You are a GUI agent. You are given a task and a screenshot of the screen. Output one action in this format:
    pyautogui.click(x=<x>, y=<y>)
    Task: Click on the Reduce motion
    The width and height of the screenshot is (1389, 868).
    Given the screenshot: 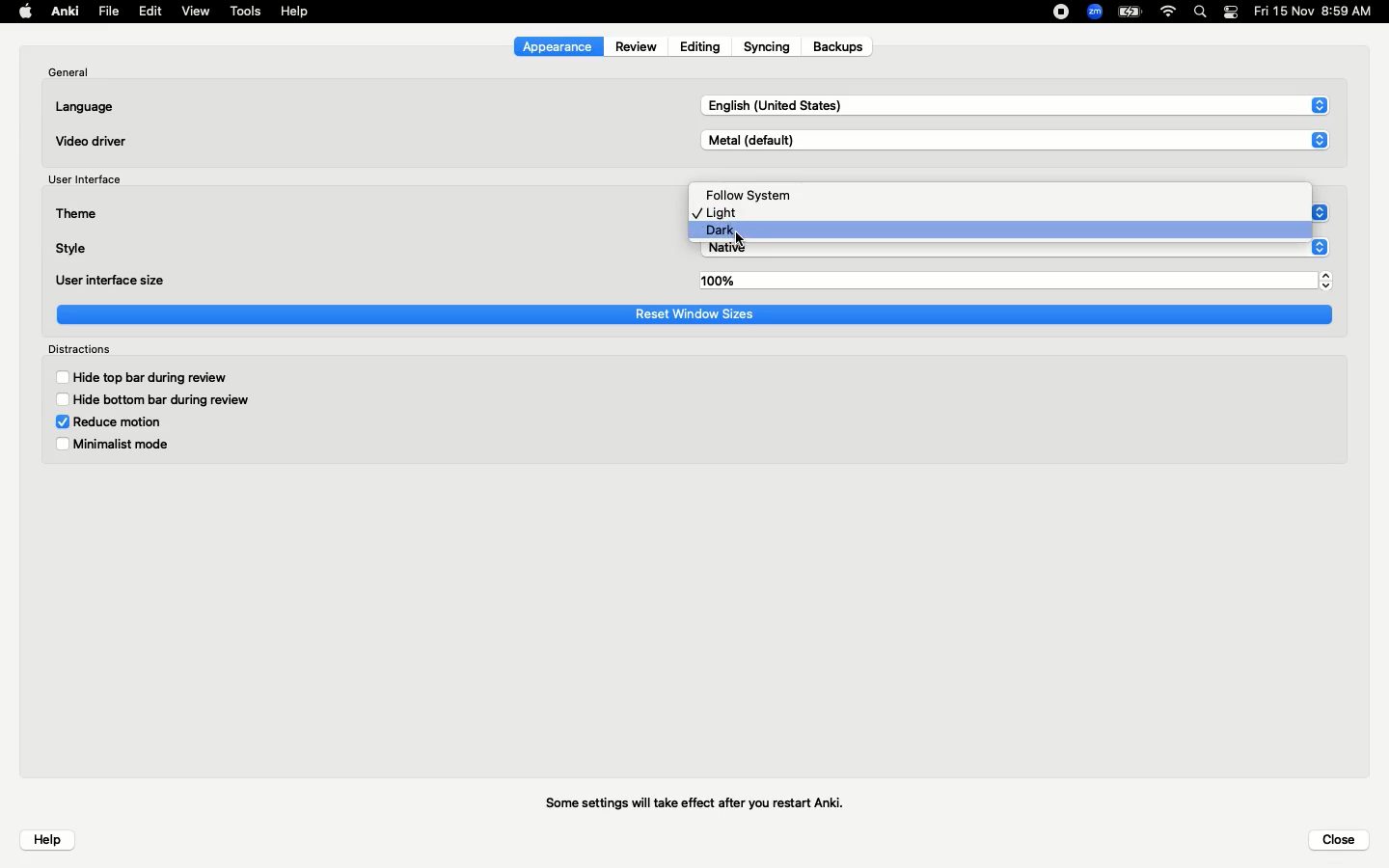 What is the action you would take?
    pyautogui.click(x=109, y=420)
    